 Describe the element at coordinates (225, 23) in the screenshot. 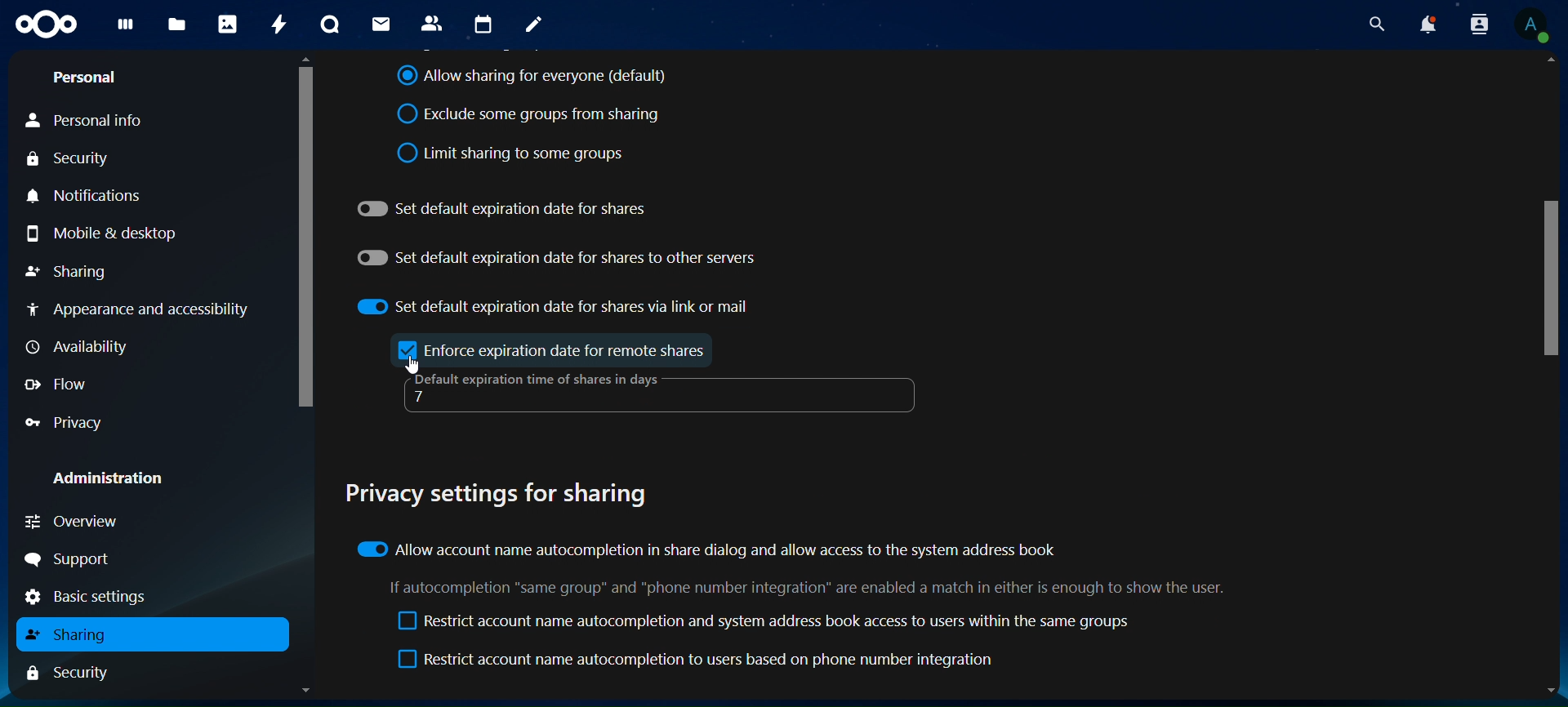

I see `photos` at that location.